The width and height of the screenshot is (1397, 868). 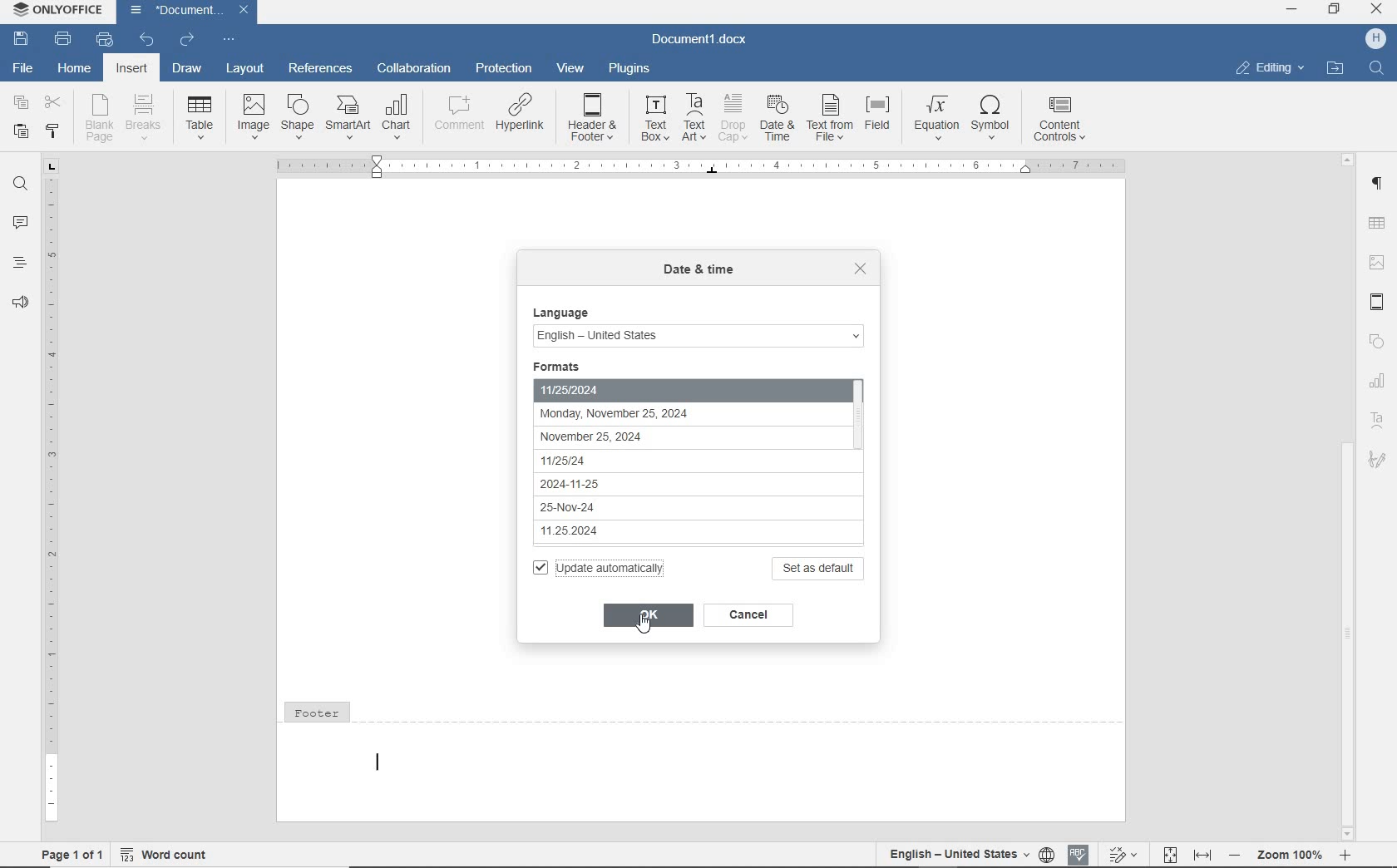 I want to click on draw, so click(x=186, y=70).